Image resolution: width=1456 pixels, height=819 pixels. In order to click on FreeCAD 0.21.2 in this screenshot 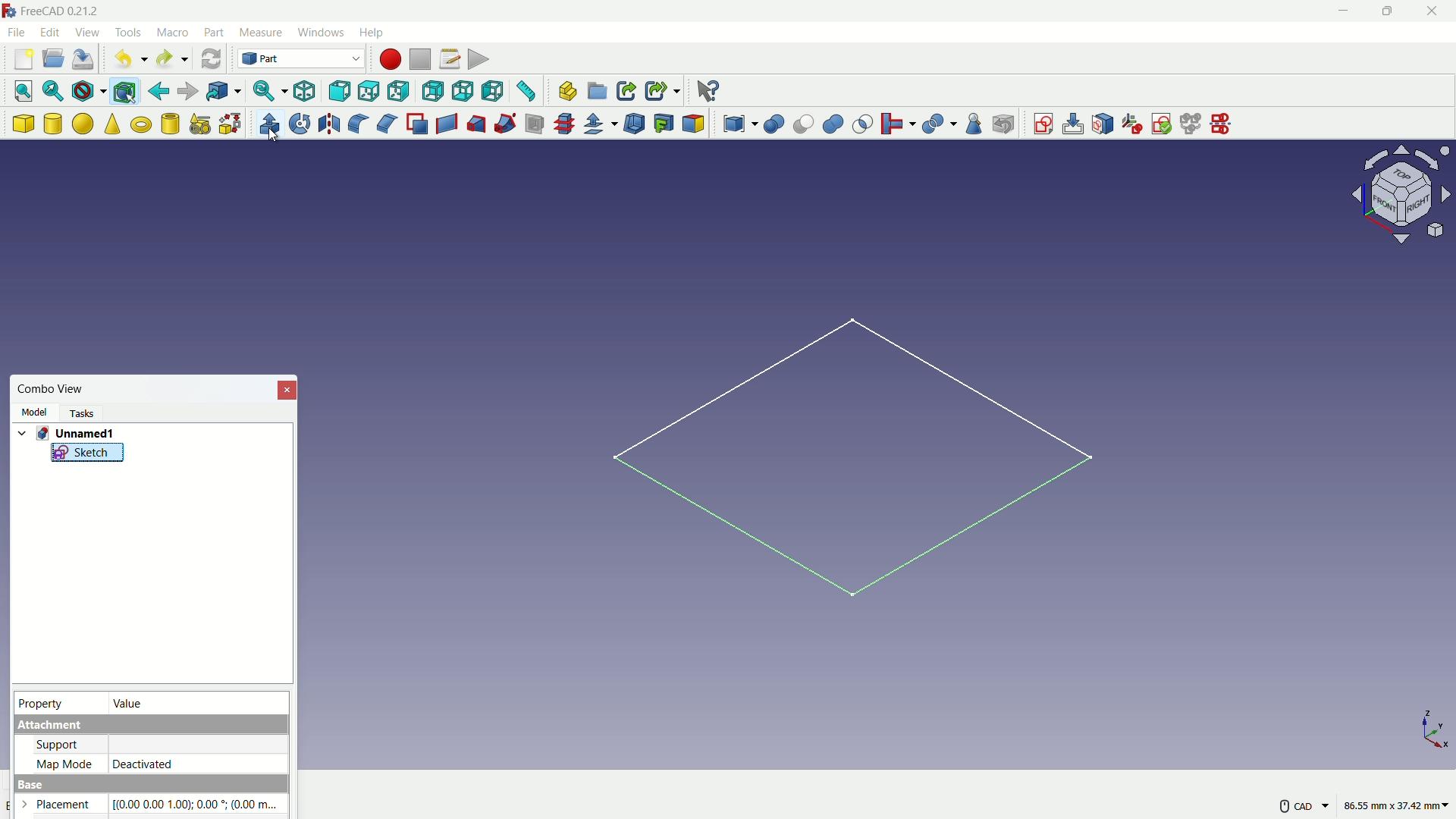, I will do `click(63, 11)`.